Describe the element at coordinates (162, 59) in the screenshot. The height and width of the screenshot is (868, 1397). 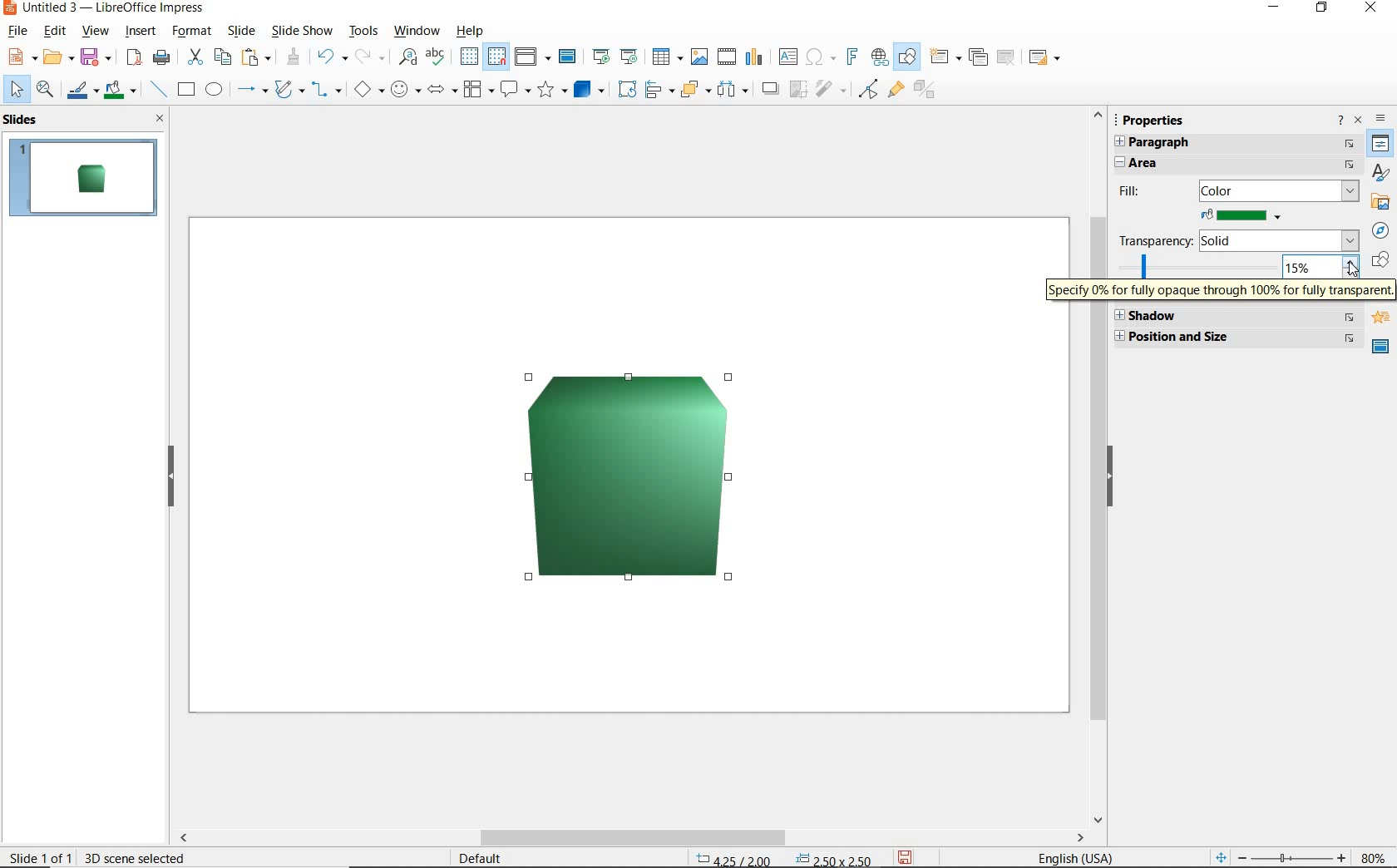
I see `print` at that location.